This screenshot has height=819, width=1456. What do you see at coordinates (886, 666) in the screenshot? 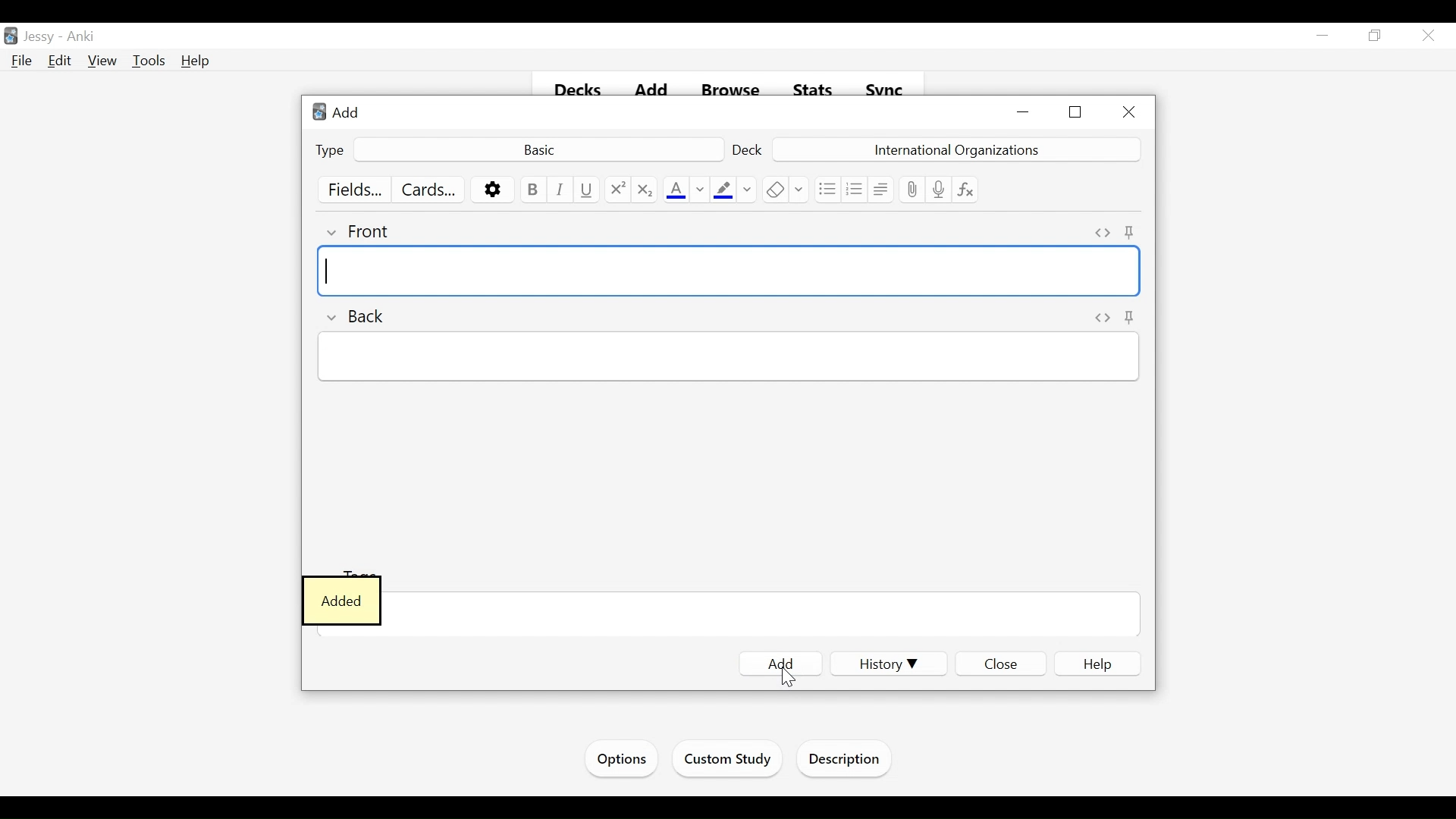
I see `History` at bounding box center [886, 666].